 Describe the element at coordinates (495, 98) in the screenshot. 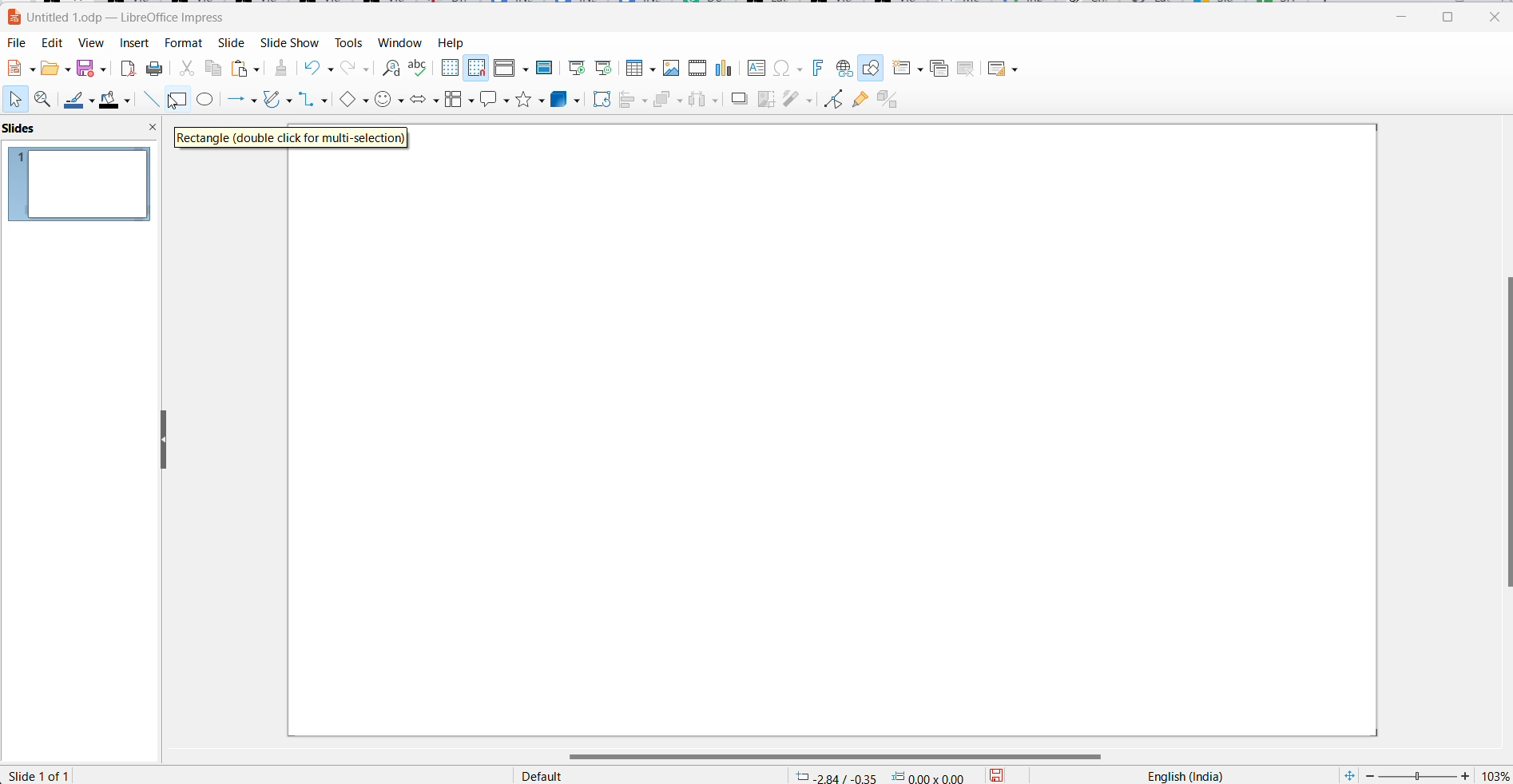

I see `callout shapes` at that location.